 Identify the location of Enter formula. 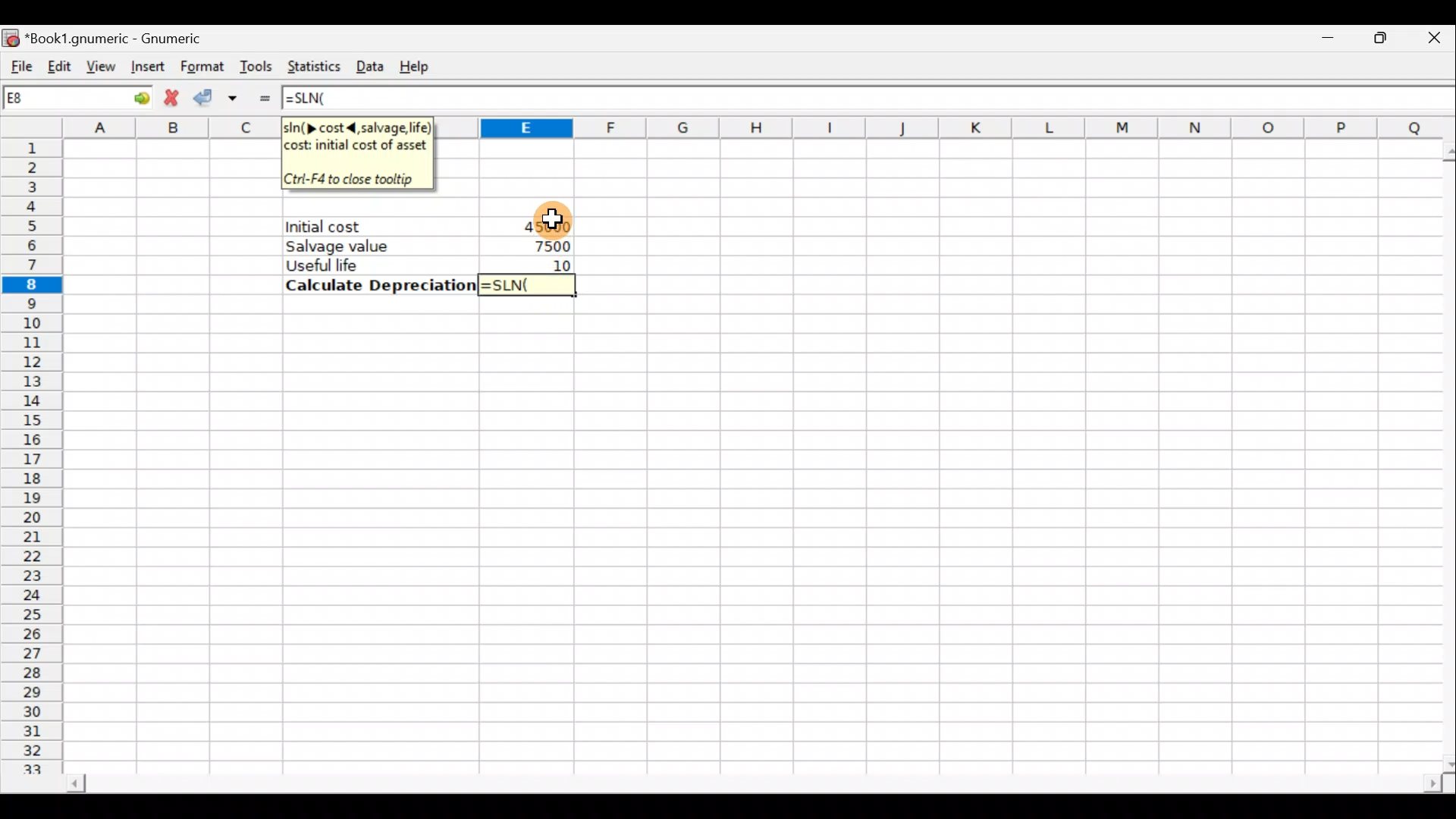
(264, 97).